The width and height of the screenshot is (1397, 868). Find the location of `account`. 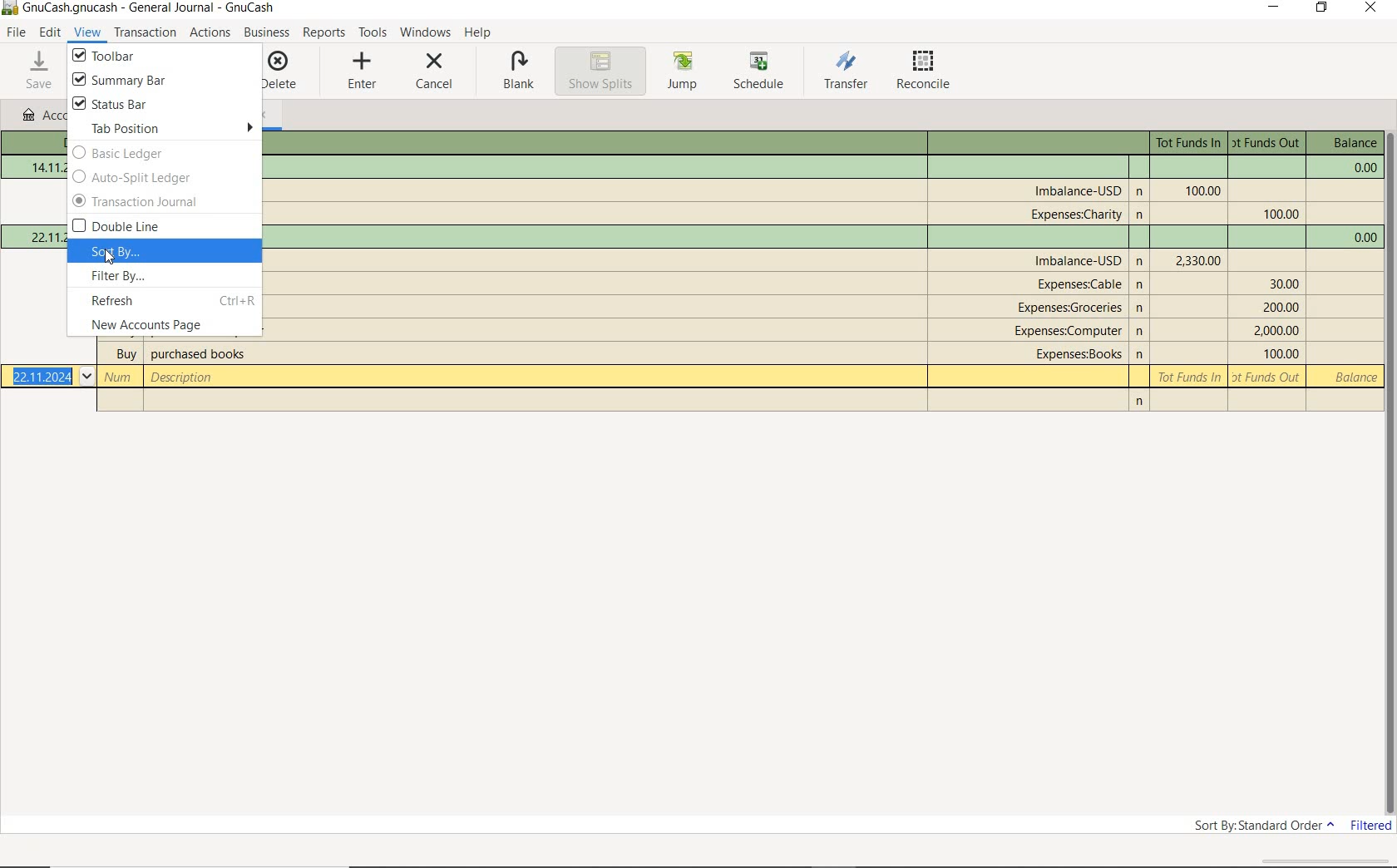

account is located at coordinates (1078, 189).